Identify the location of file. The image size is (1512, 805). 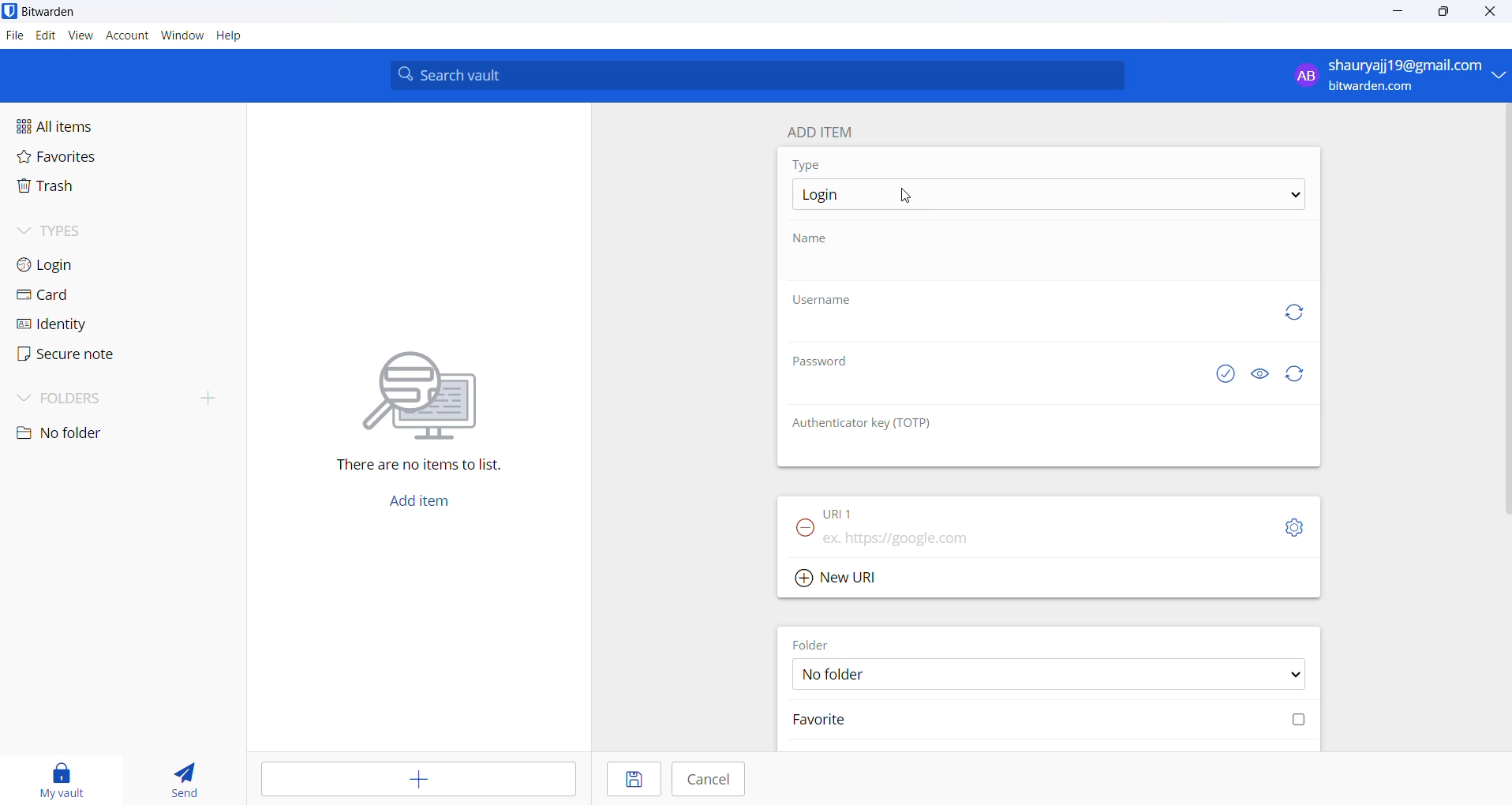
(13, 36).